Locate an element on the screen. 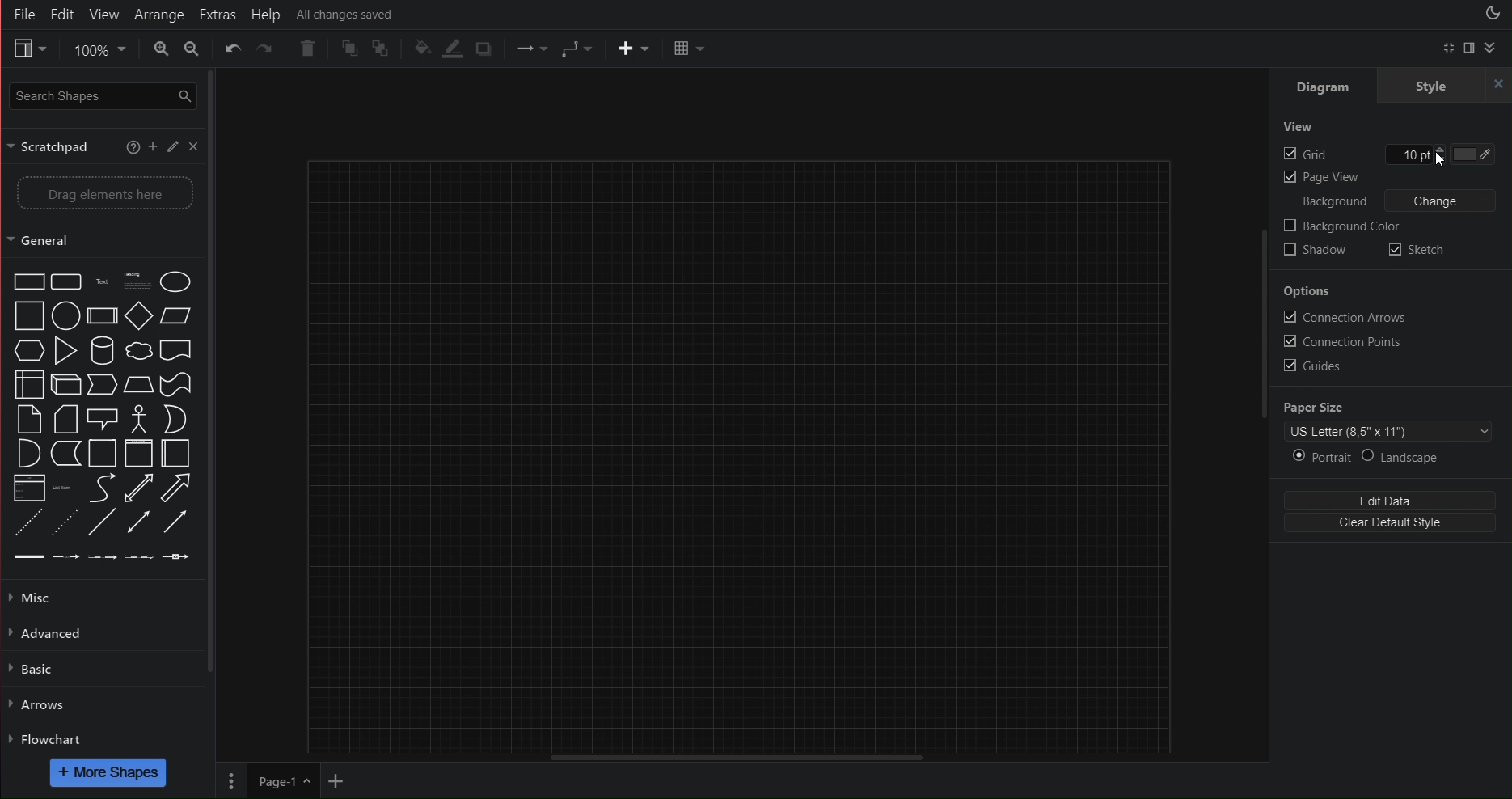 The height and width of the screenshot is (799, 1512). Options is located at coordinates (1307, 294).